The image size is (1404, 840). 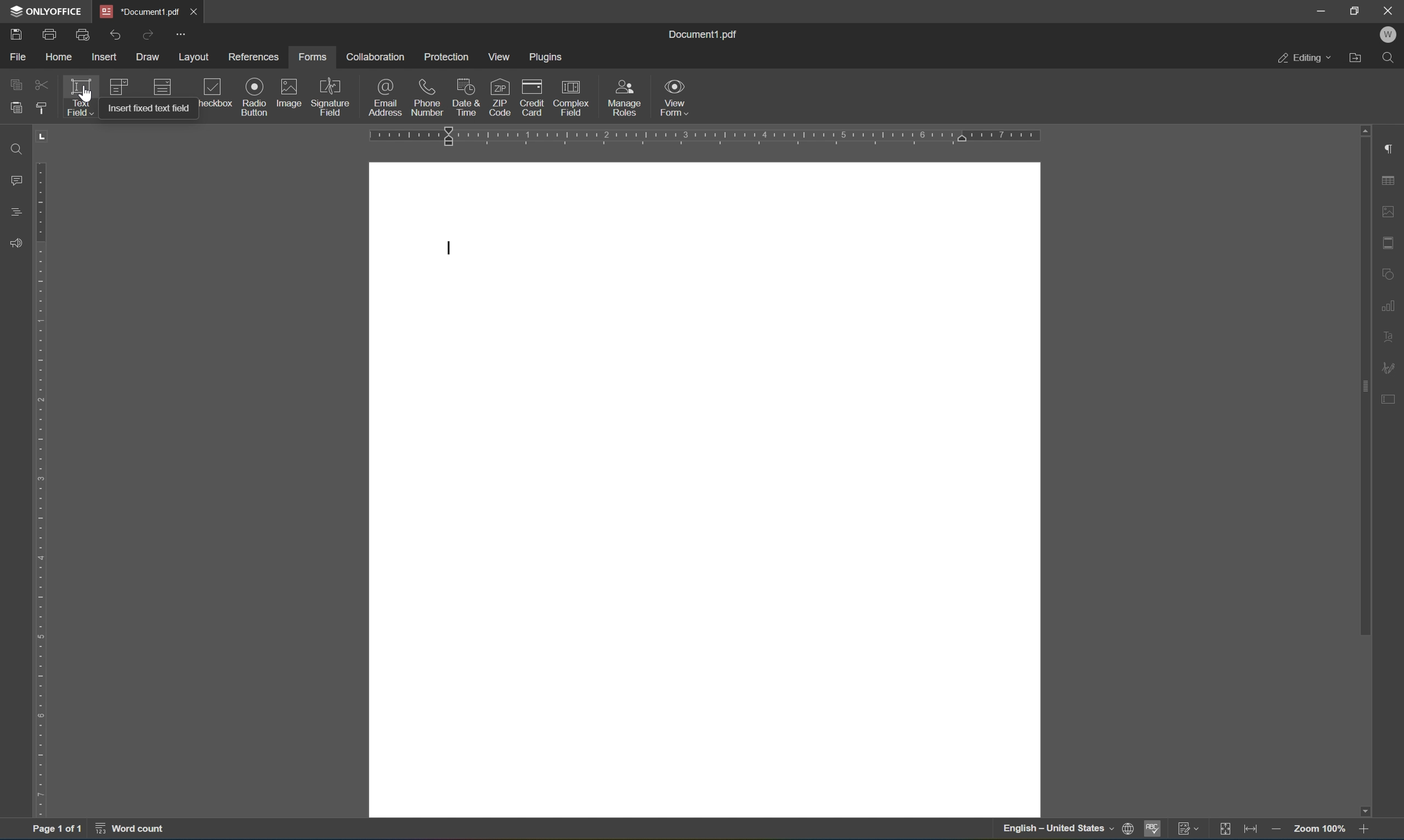 I want to click on comment, so click(x=14, y=180).